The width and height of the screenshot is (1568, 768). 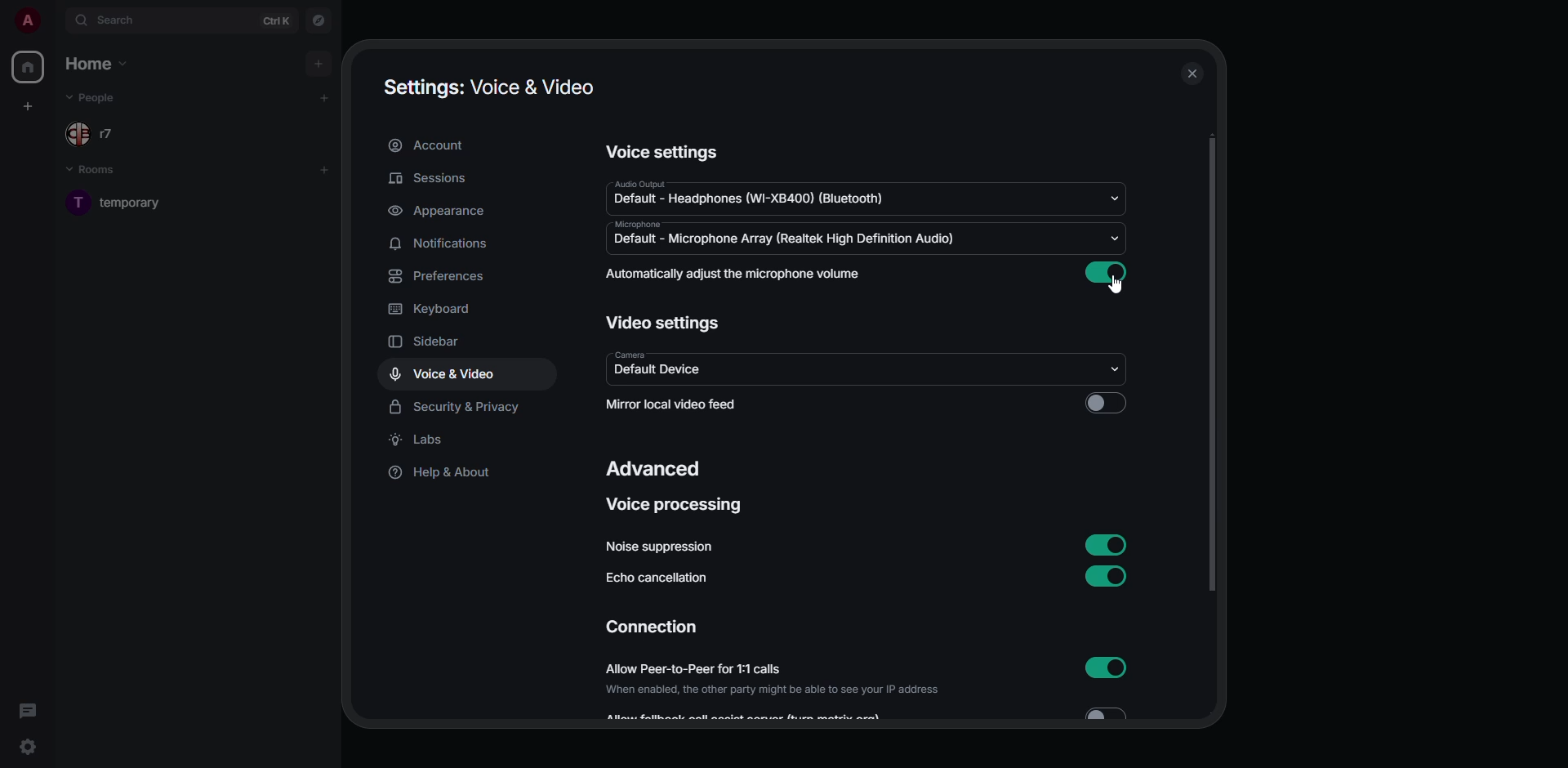 What do you see at coordinates (444, 373) in the screenshot?
I see `voice & video` at bounding box center [444, 373].